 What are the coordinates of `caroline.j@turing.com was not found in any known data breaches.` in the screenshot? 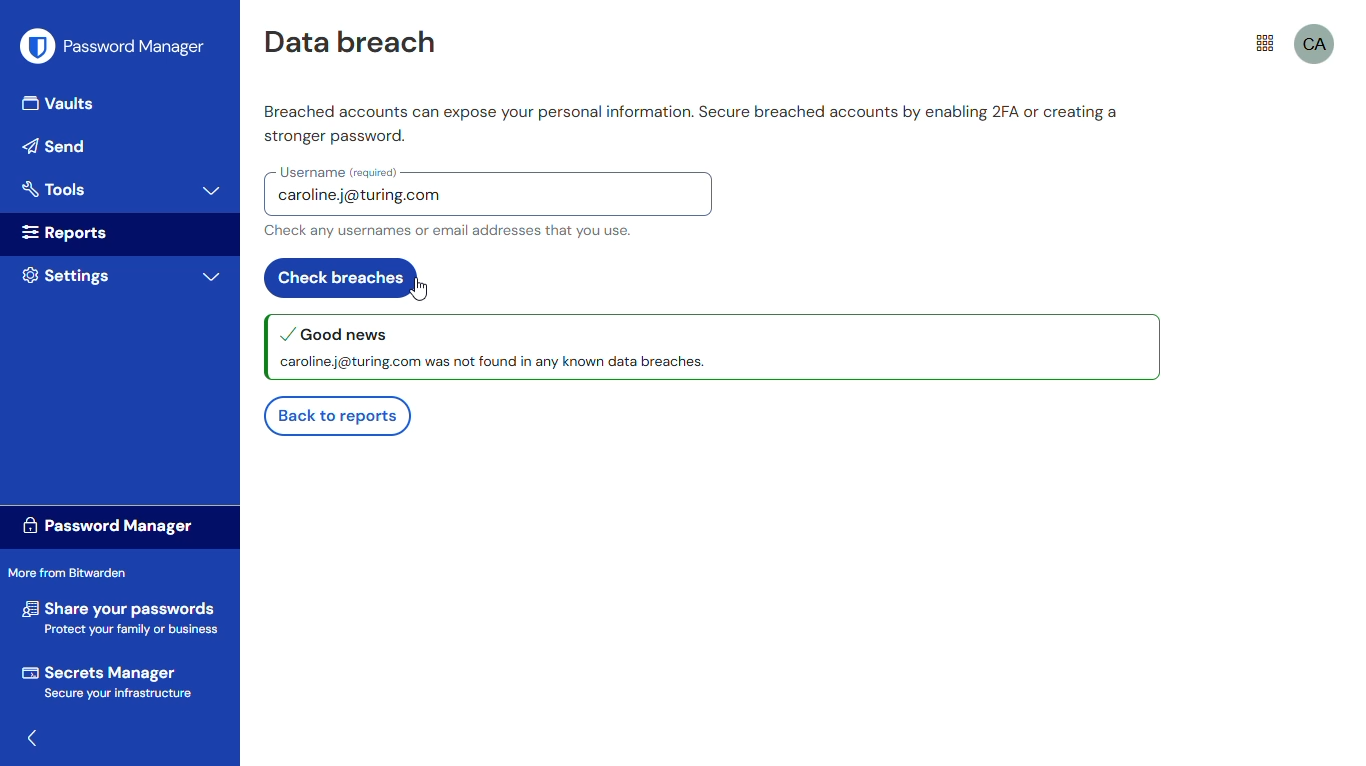 It's located at (493, 363).